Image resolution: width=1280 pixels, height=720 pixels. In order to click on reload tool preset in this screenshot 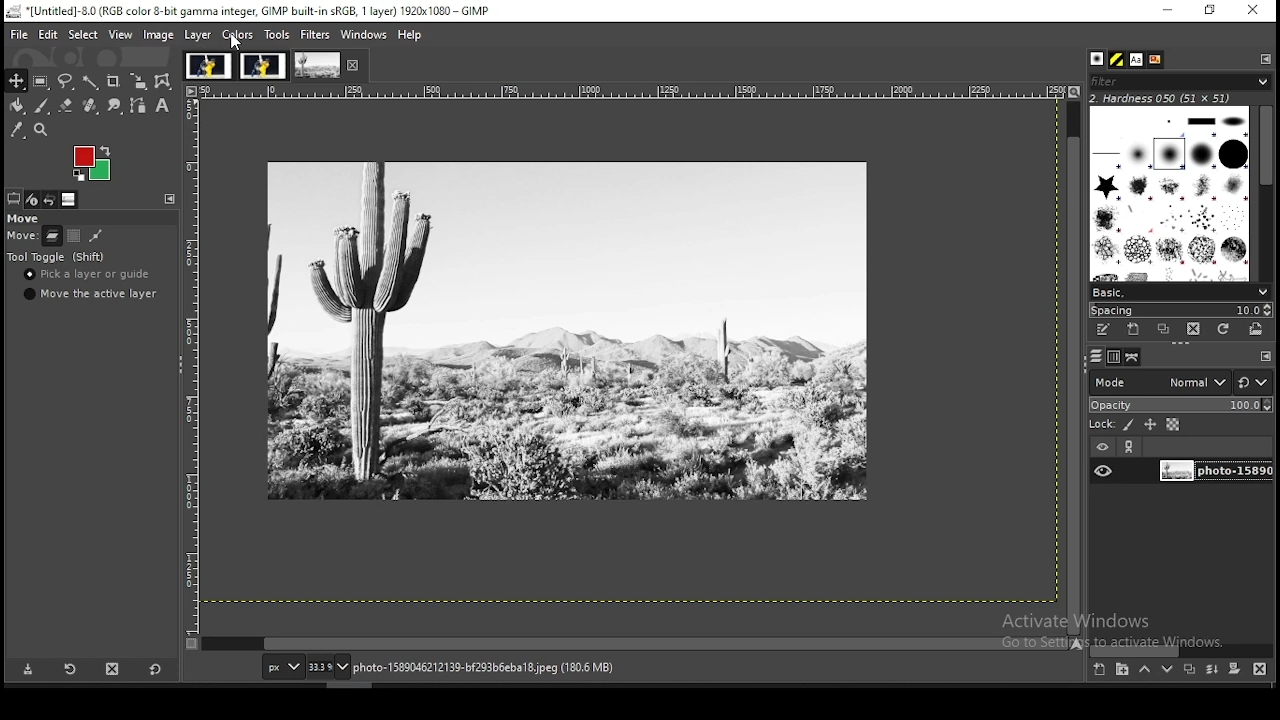, I will do `click(72, 668)`.